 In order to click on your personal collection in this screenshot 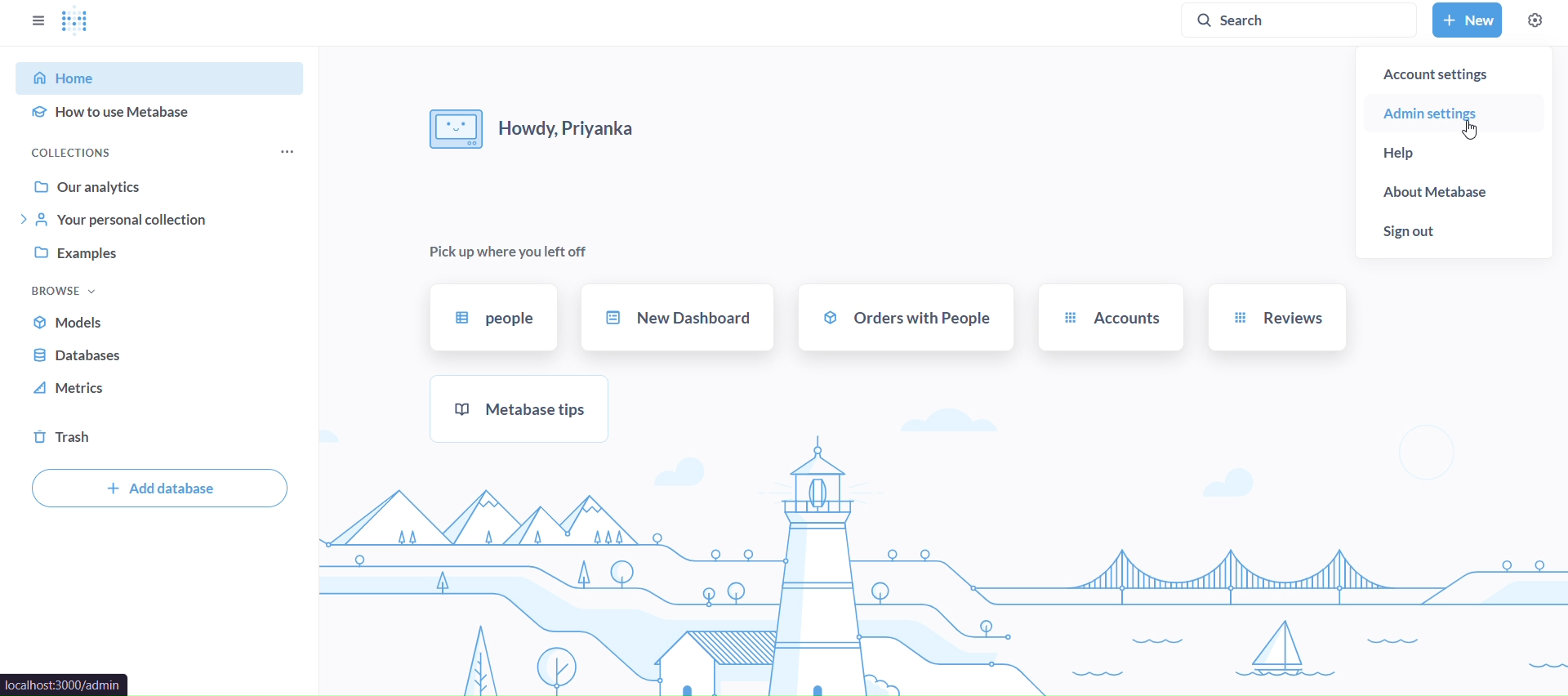, I will do `click(167, 221)`.